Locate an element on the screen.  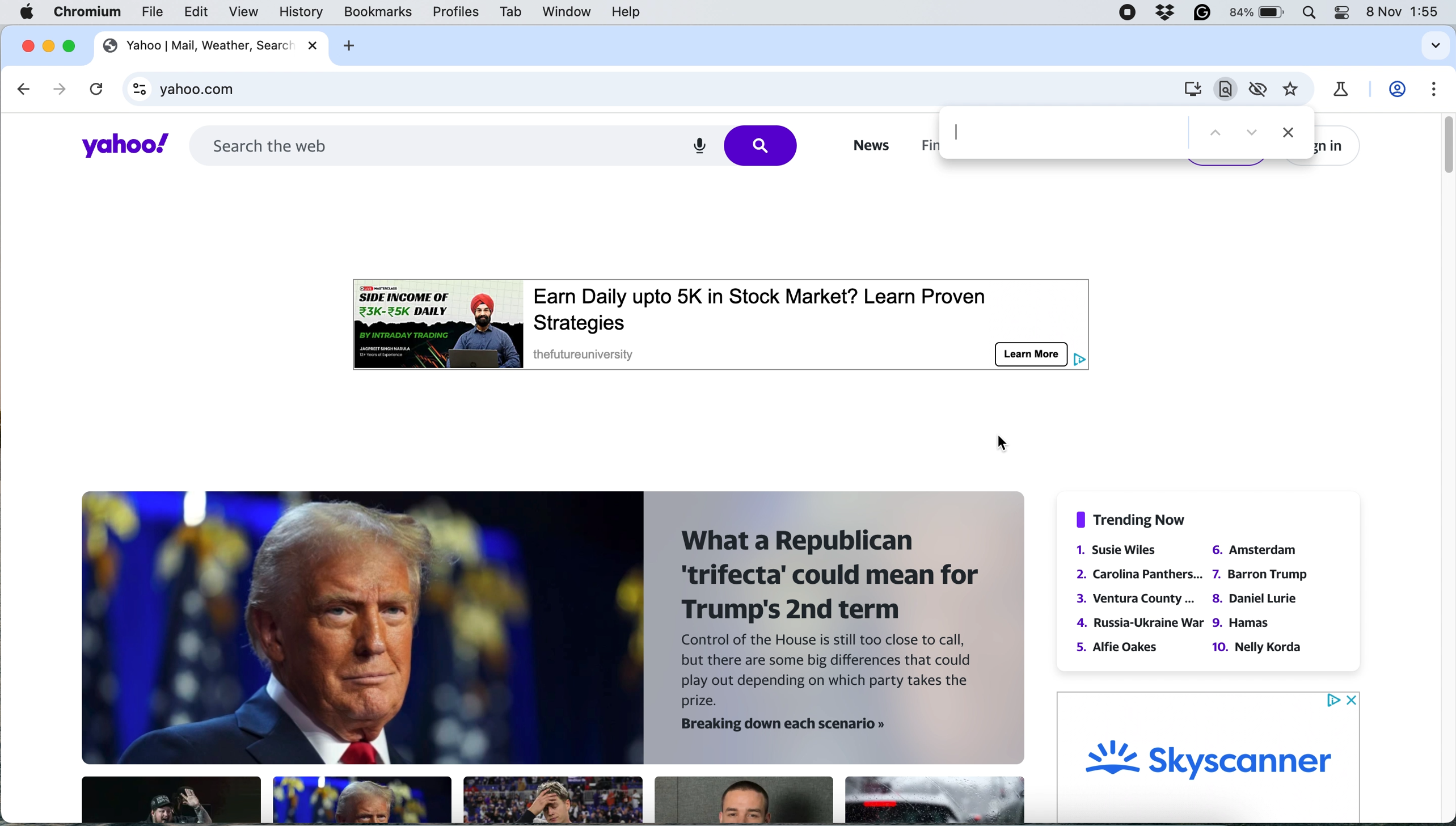
News Article  is located at coordinates (362, 800).